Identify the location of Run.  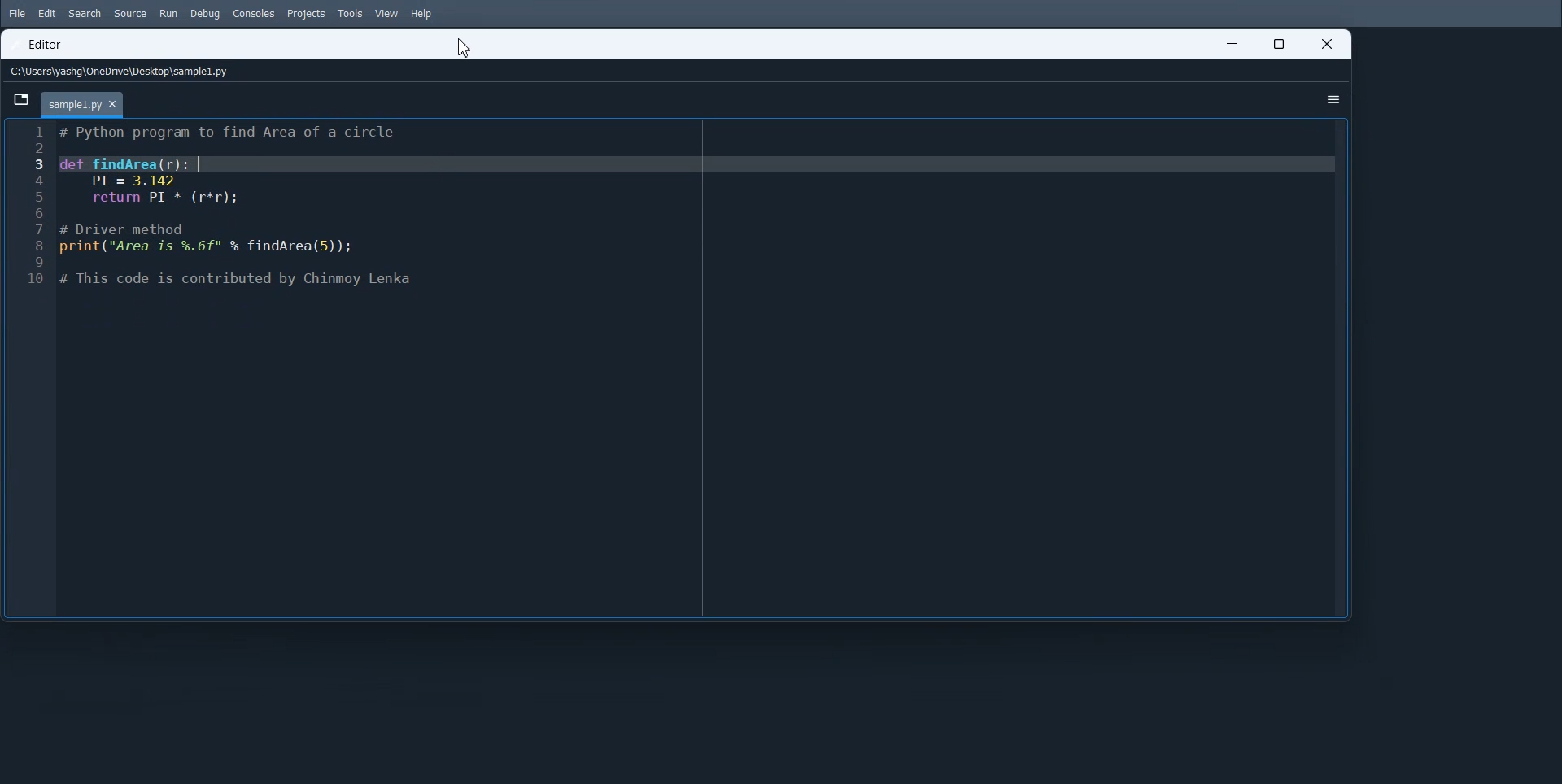
(168, 13).